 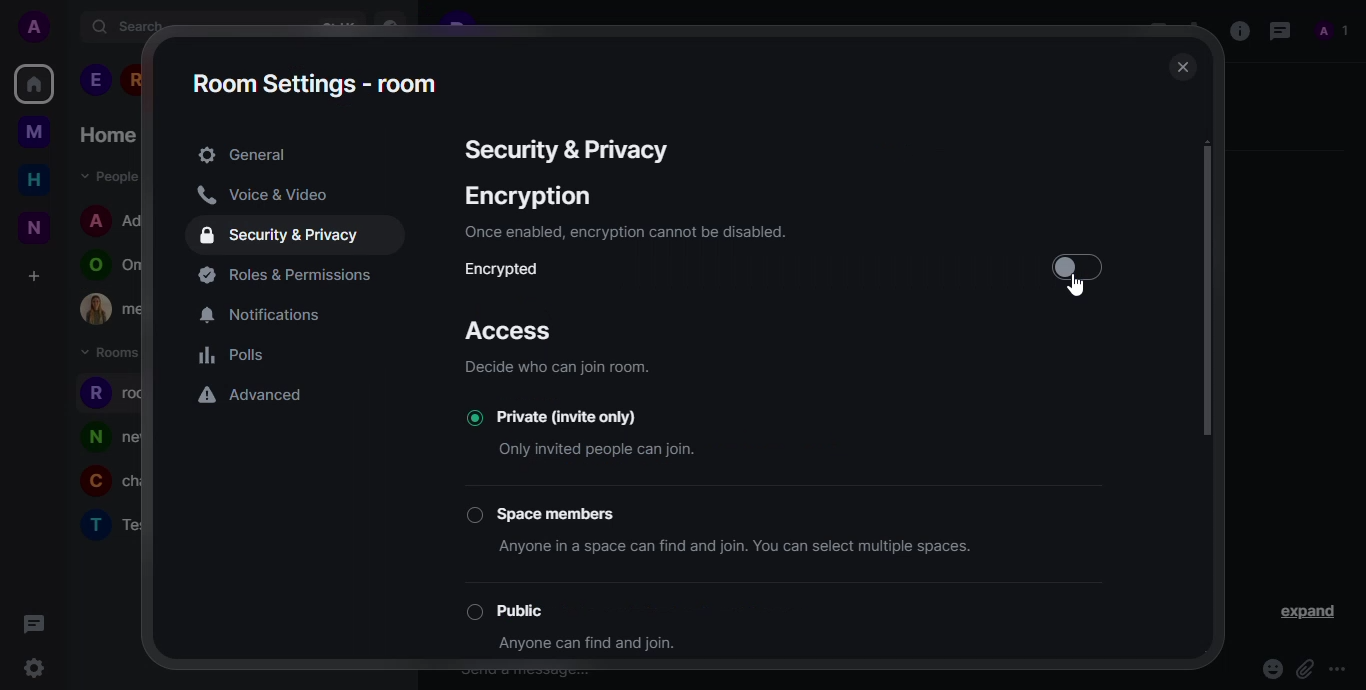 I want to click on Only invited people can join., so click(x=600, y=447).